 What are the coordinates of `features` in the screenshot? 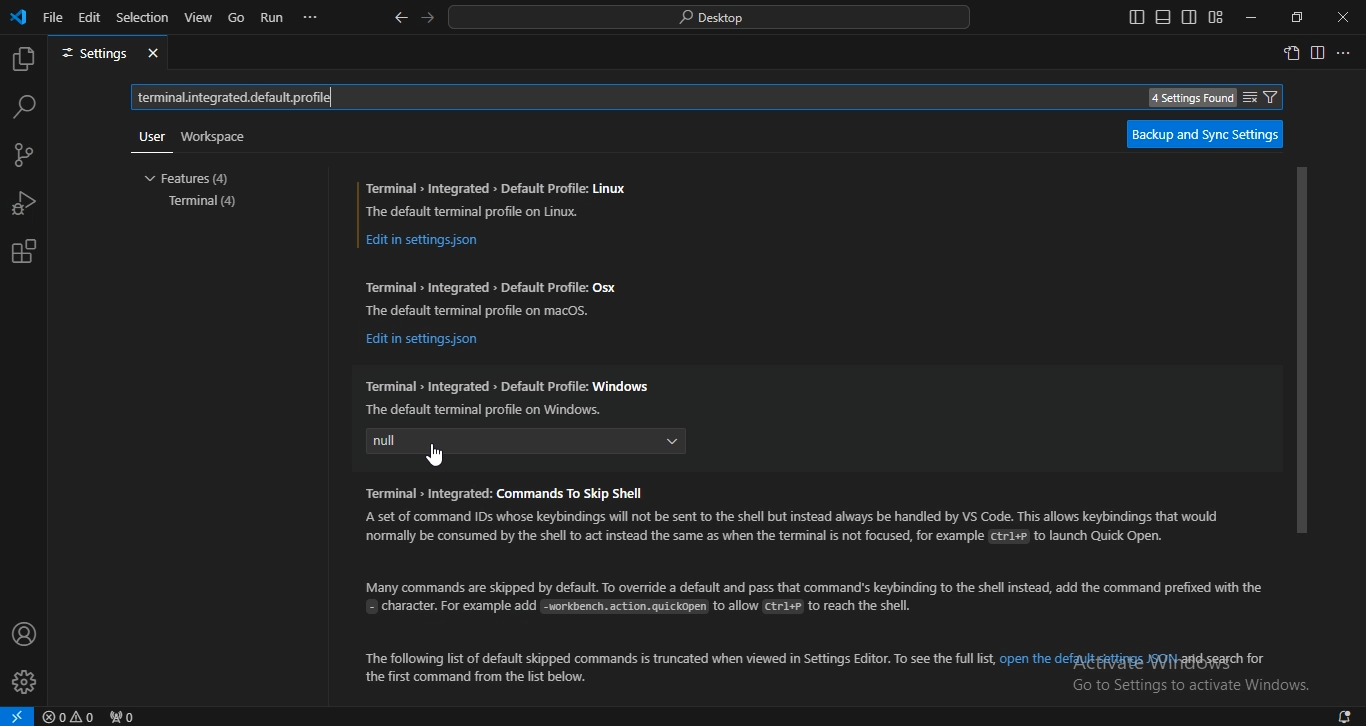 It's located at (193, 178).